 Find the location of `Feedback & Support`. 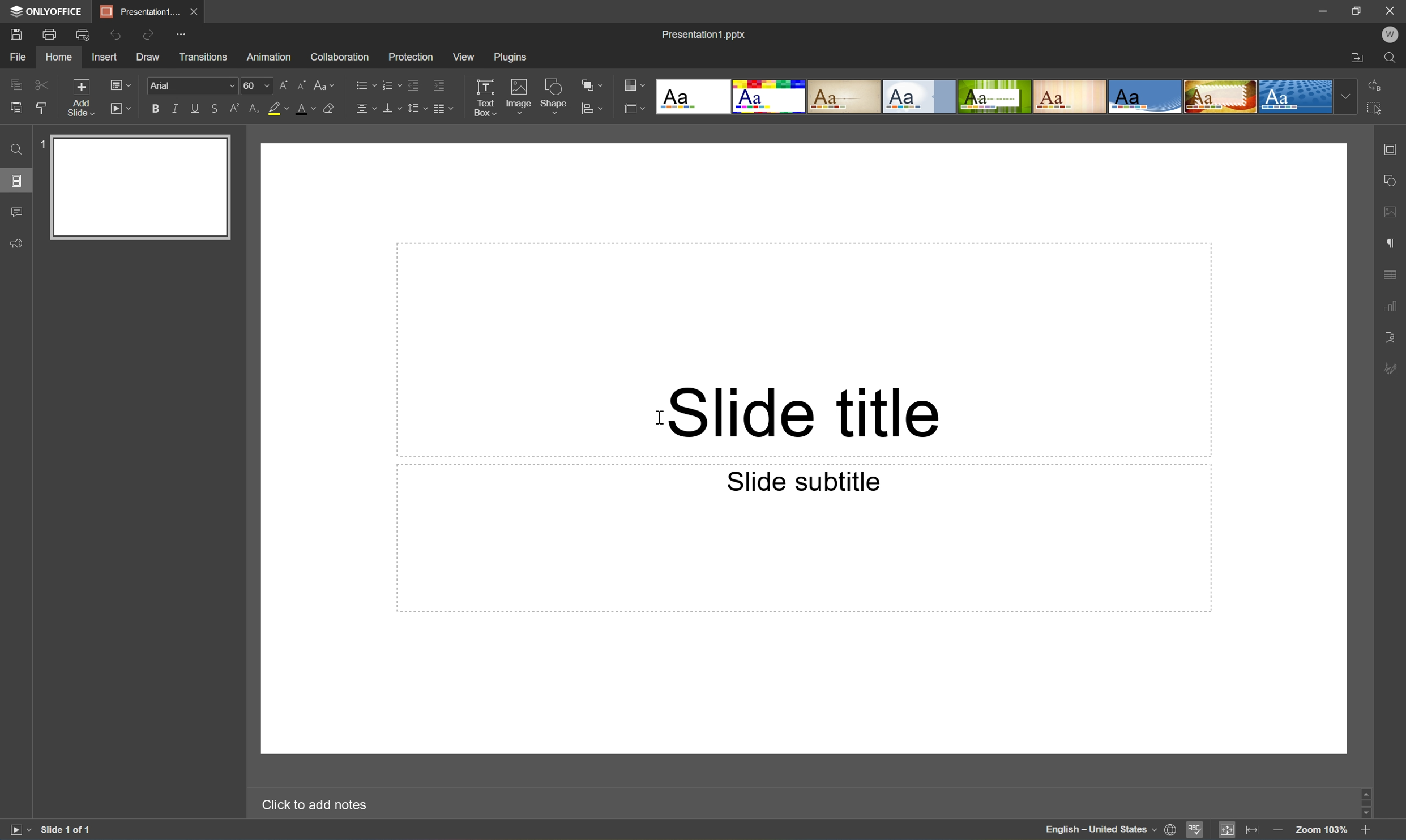

Feedback & Support is located at coordinates (14, 244).